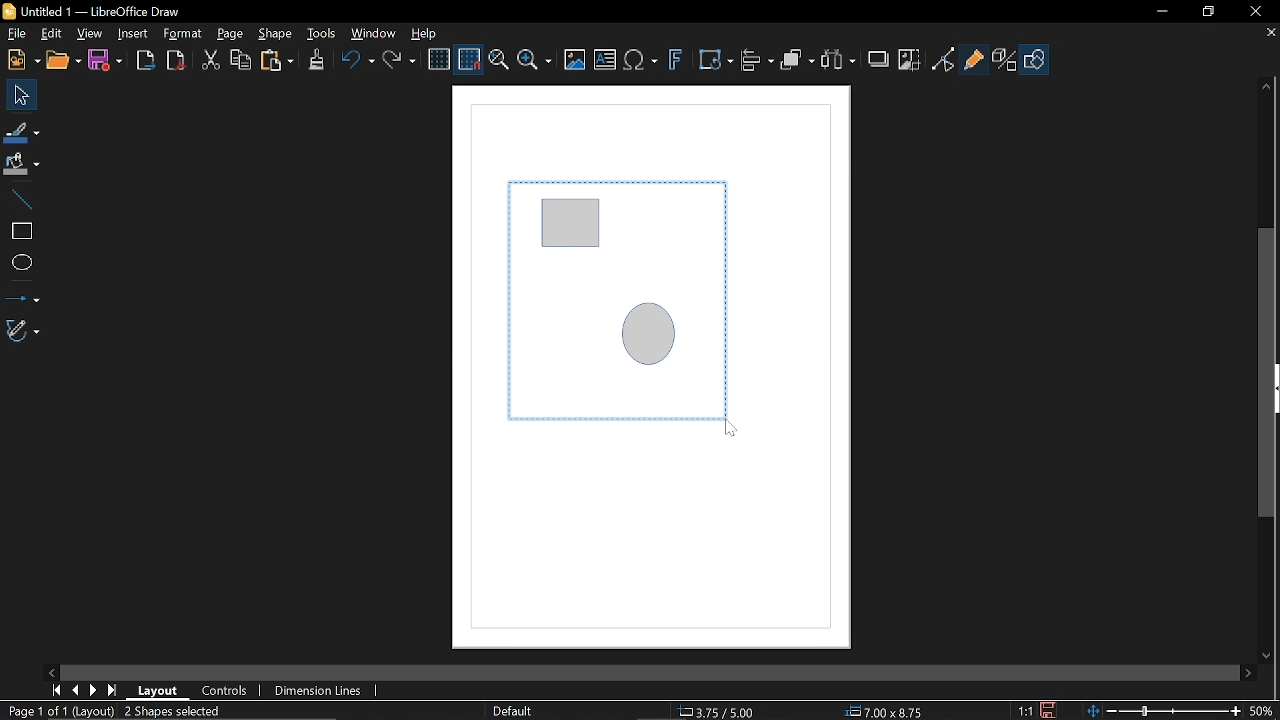  Describe the element at coordinates (1034, 59) in the screenshot. I see `Shapes` at that location.